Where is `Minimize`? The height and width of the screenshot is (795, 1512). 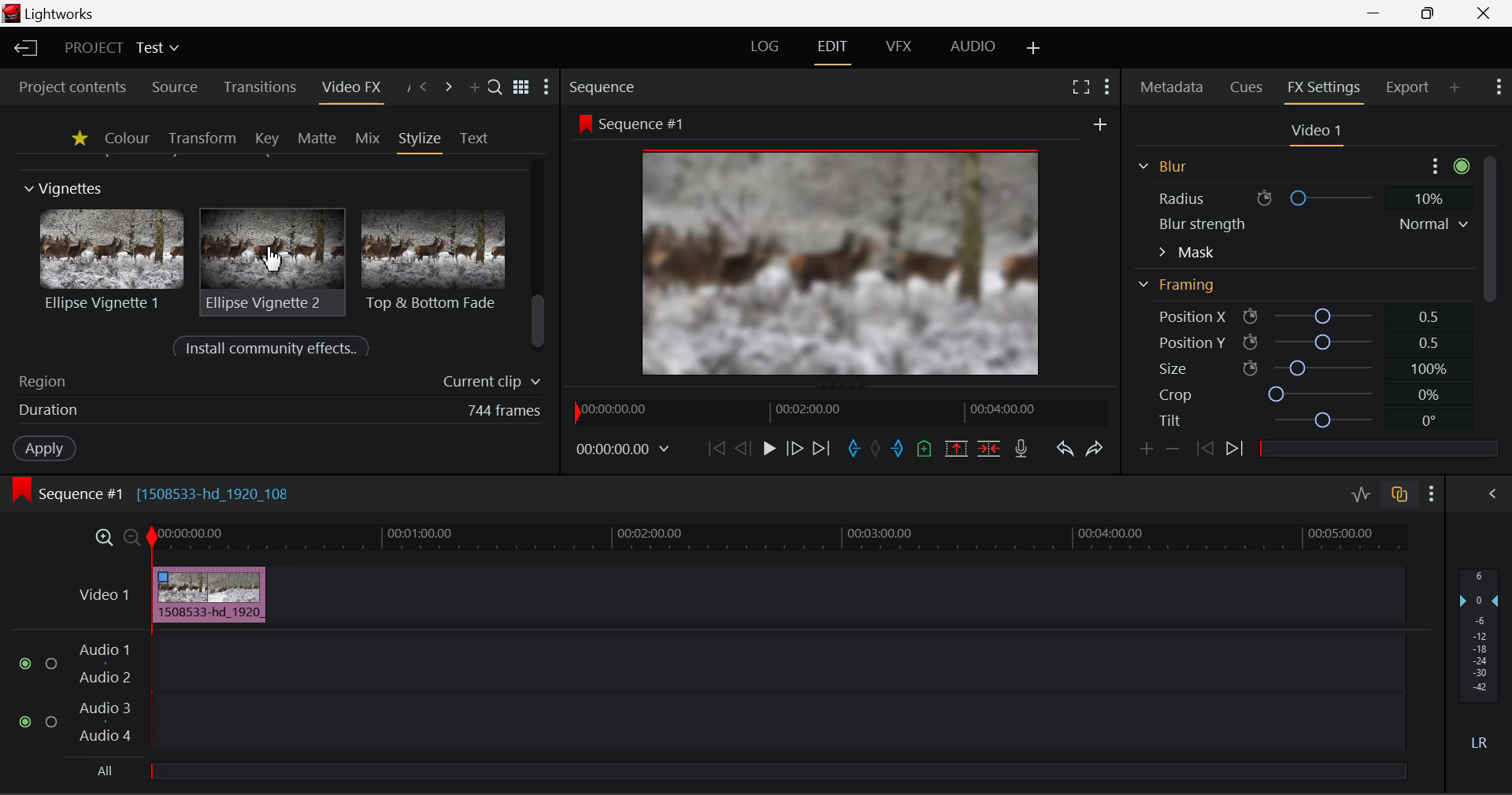 Minimize is located at coordinates (1429, 14).